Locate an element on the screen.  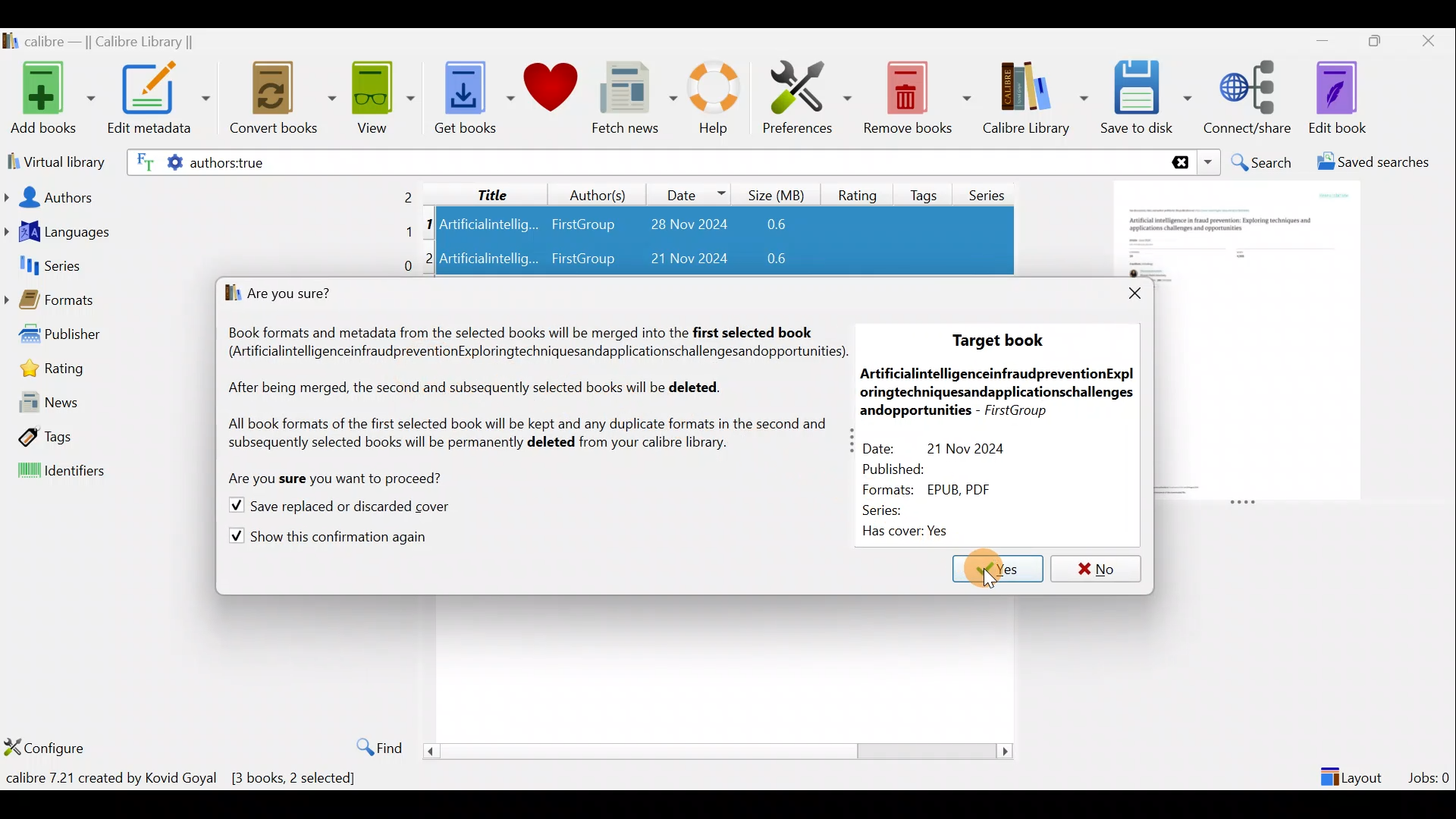
Publisher is located at coordinates (105, 337).